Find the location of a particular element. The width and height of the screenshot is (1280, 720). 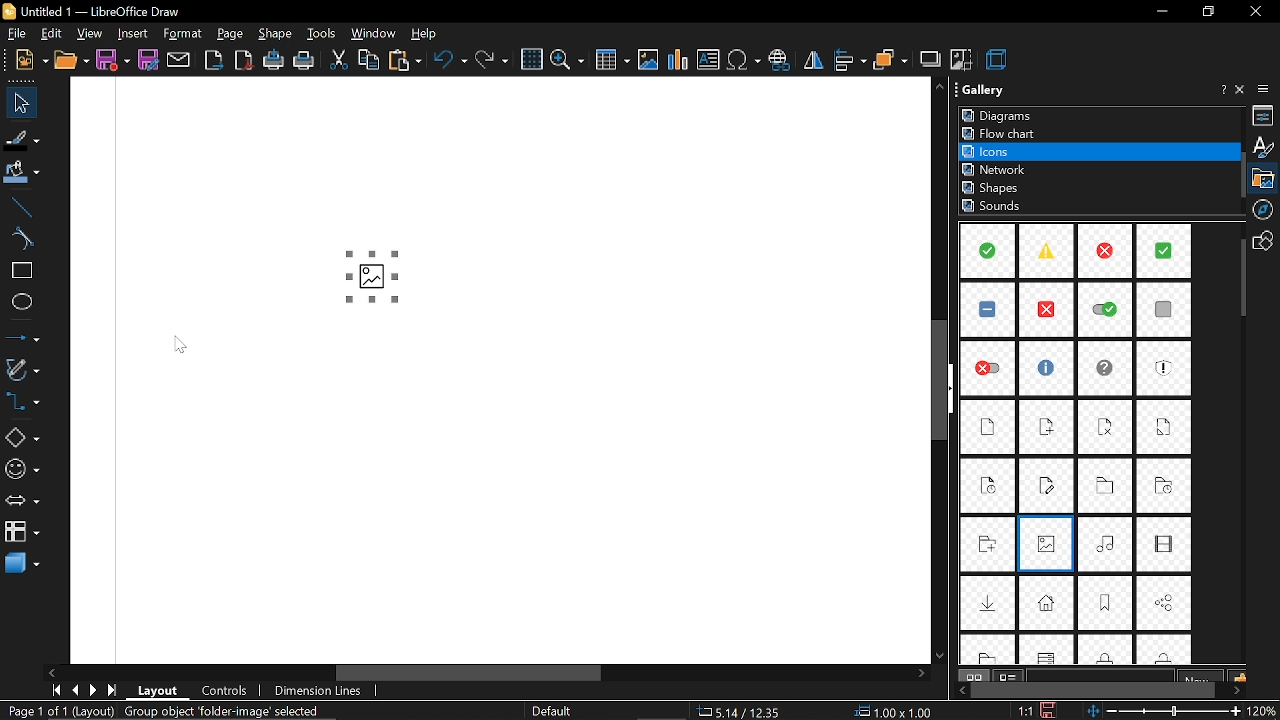

horizontal scrollbar is located at coordinates (1094, 690).